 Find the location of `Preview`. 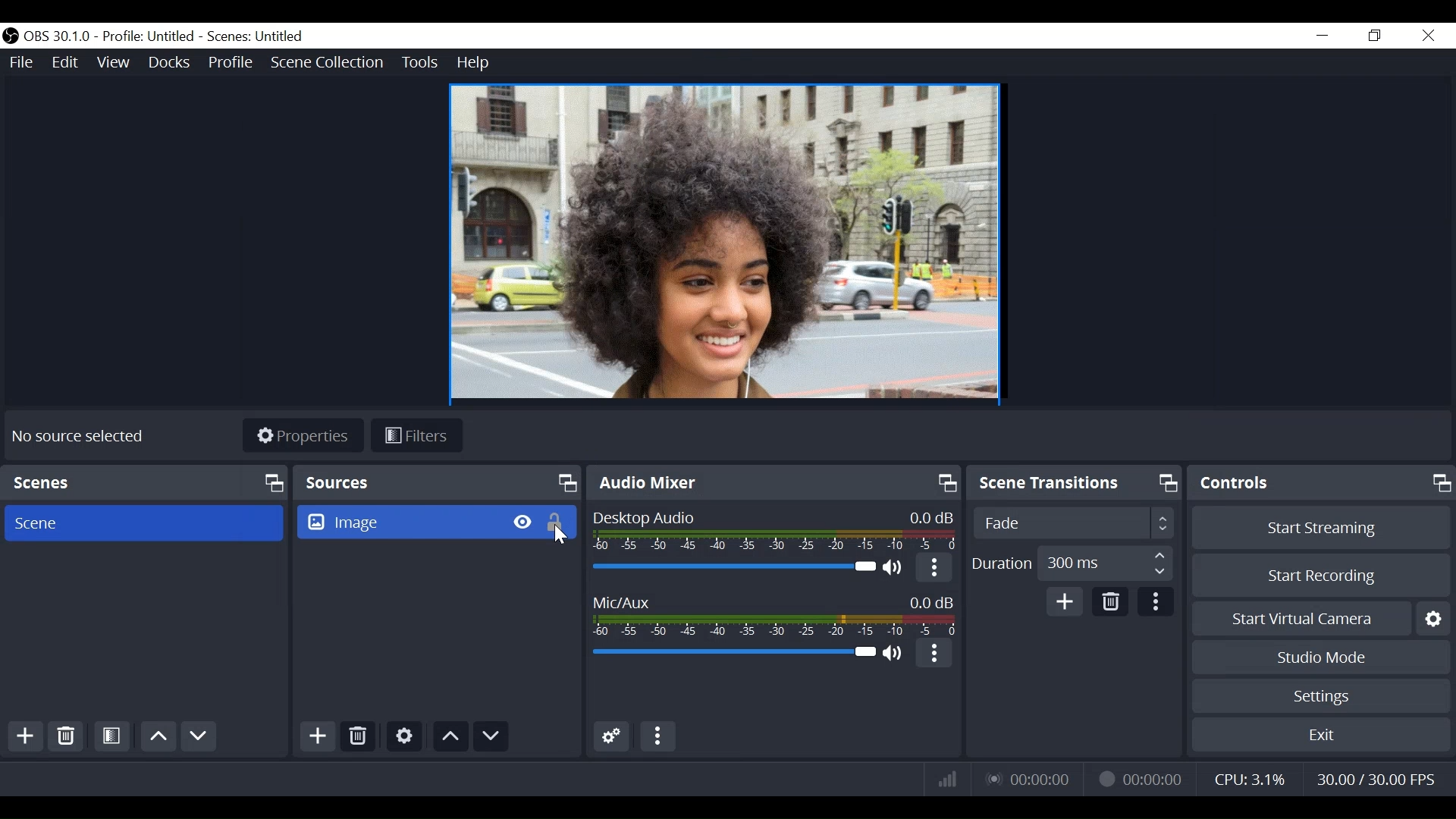

Preview is located at coordinates (723, 243).